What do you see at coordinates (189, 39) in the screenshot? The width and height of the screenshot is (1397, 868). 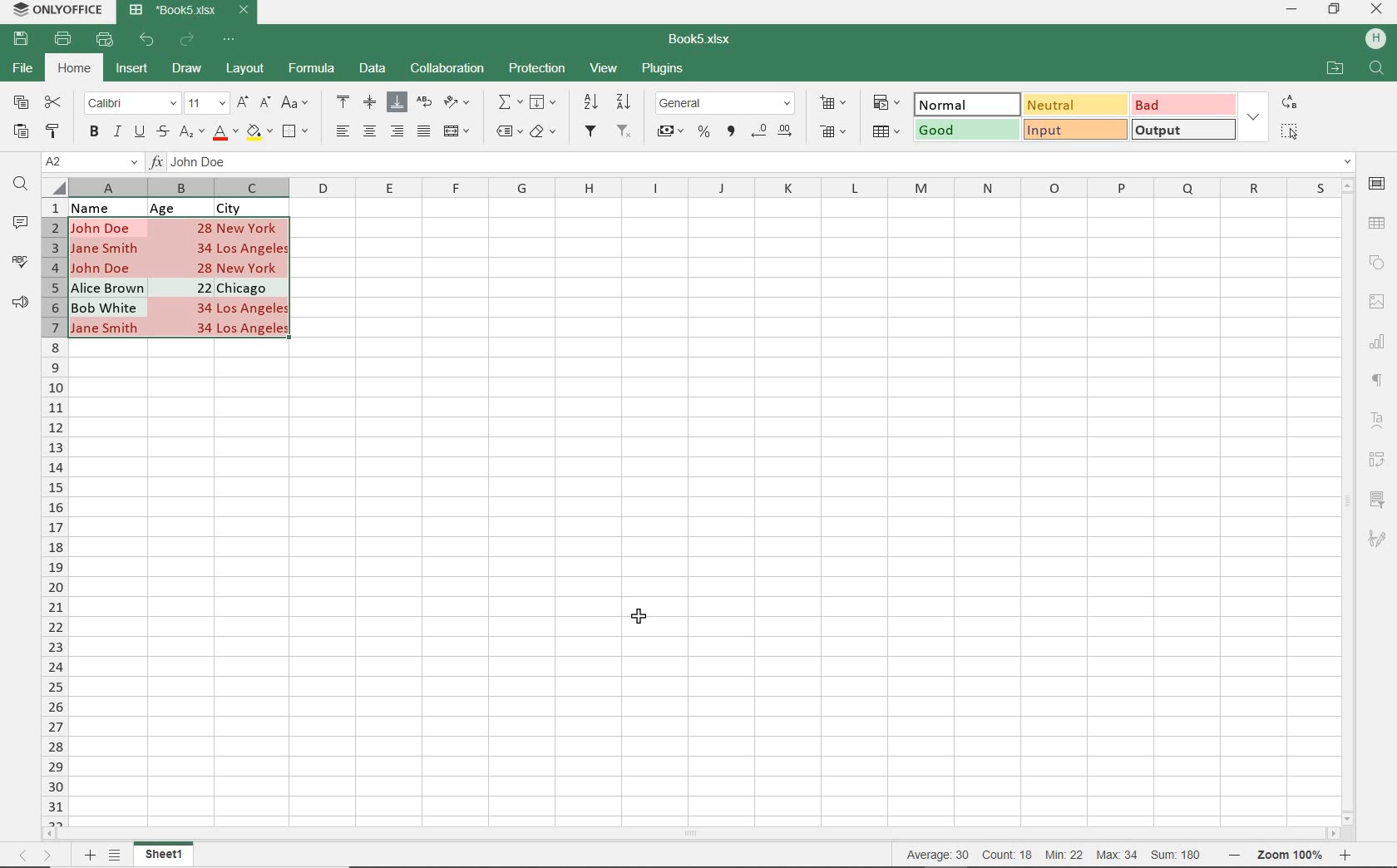 I see `REDO` at bounding box center [189, 39].